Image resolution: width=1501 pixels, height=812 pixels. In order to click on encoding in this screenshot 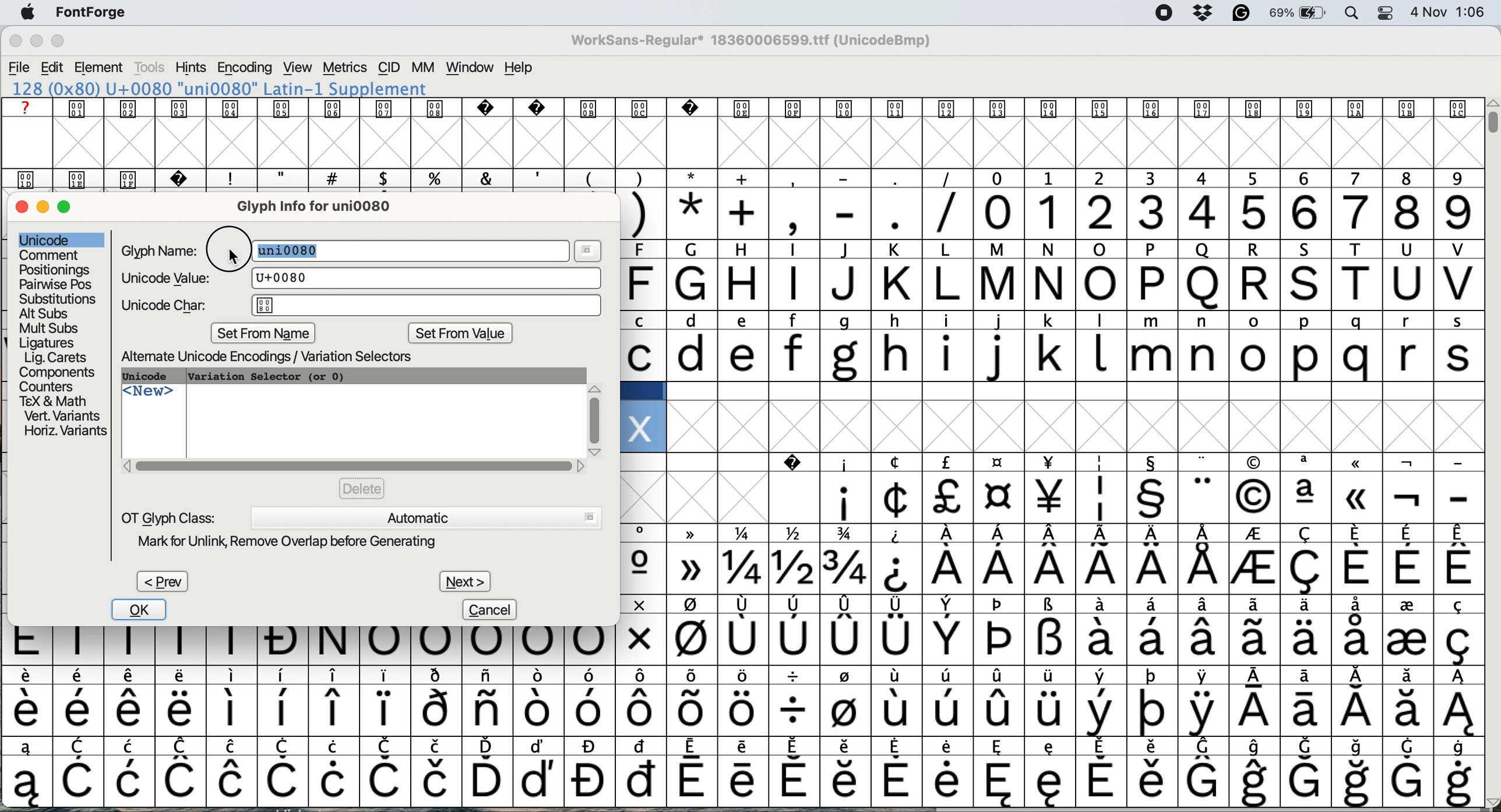, I will do `click(244, 68)`.